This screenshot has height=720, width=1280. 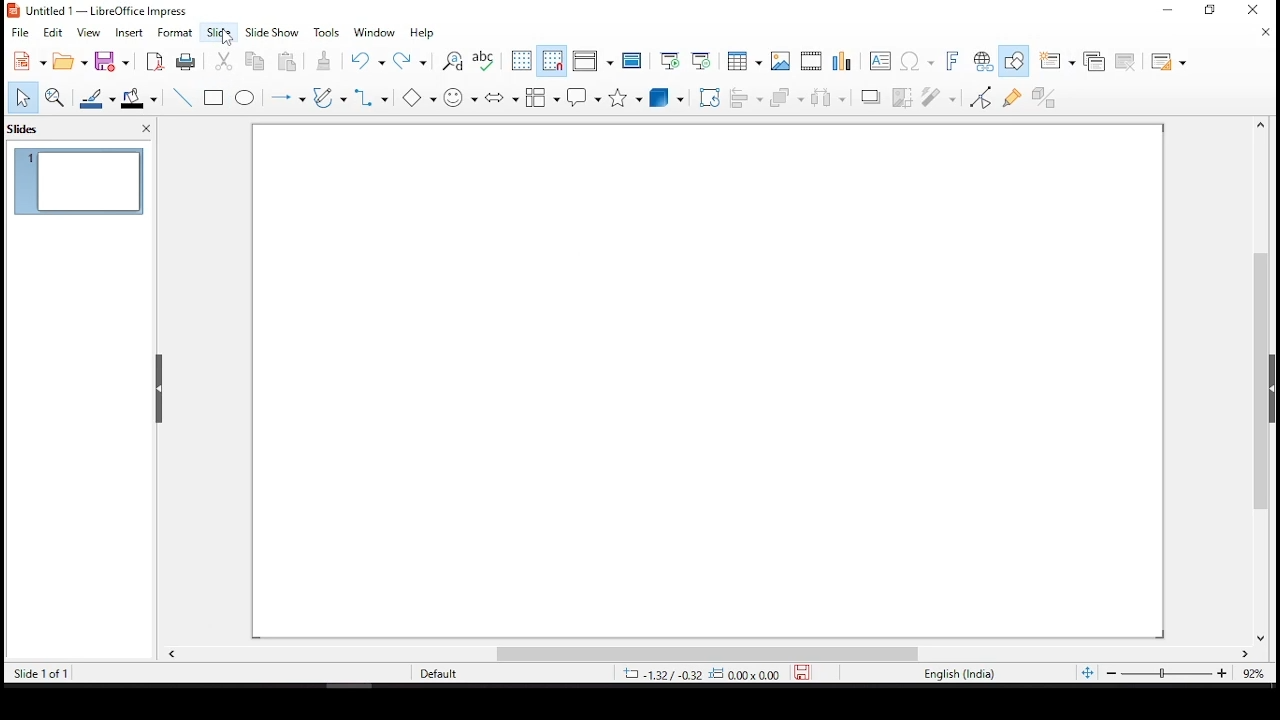 What do you see at coordinates (958, 673) in the screenshot?
I see `english (india)` at bounding box center [958, 673].